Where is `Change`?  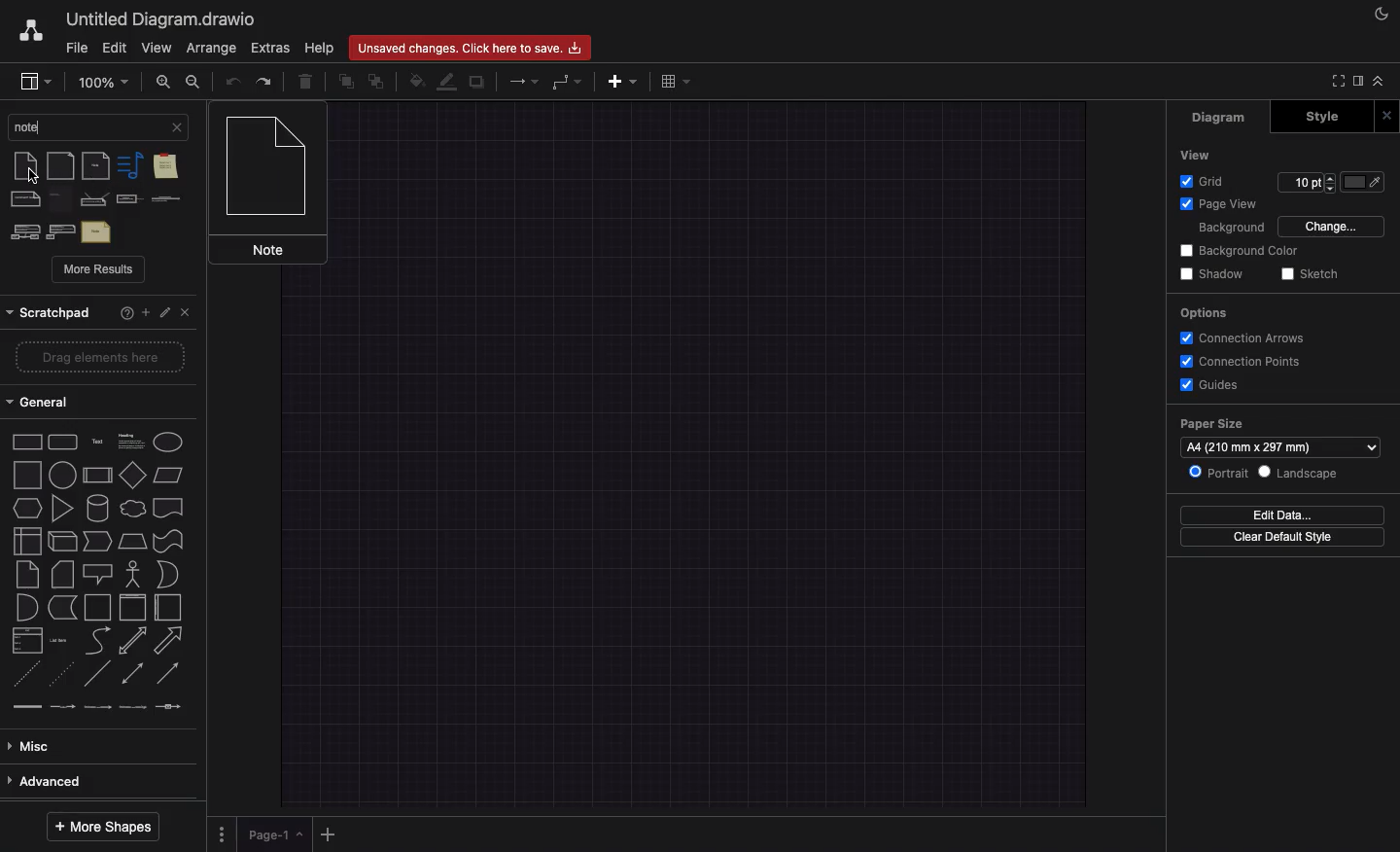 Change is located at coordinates (1330, 227).